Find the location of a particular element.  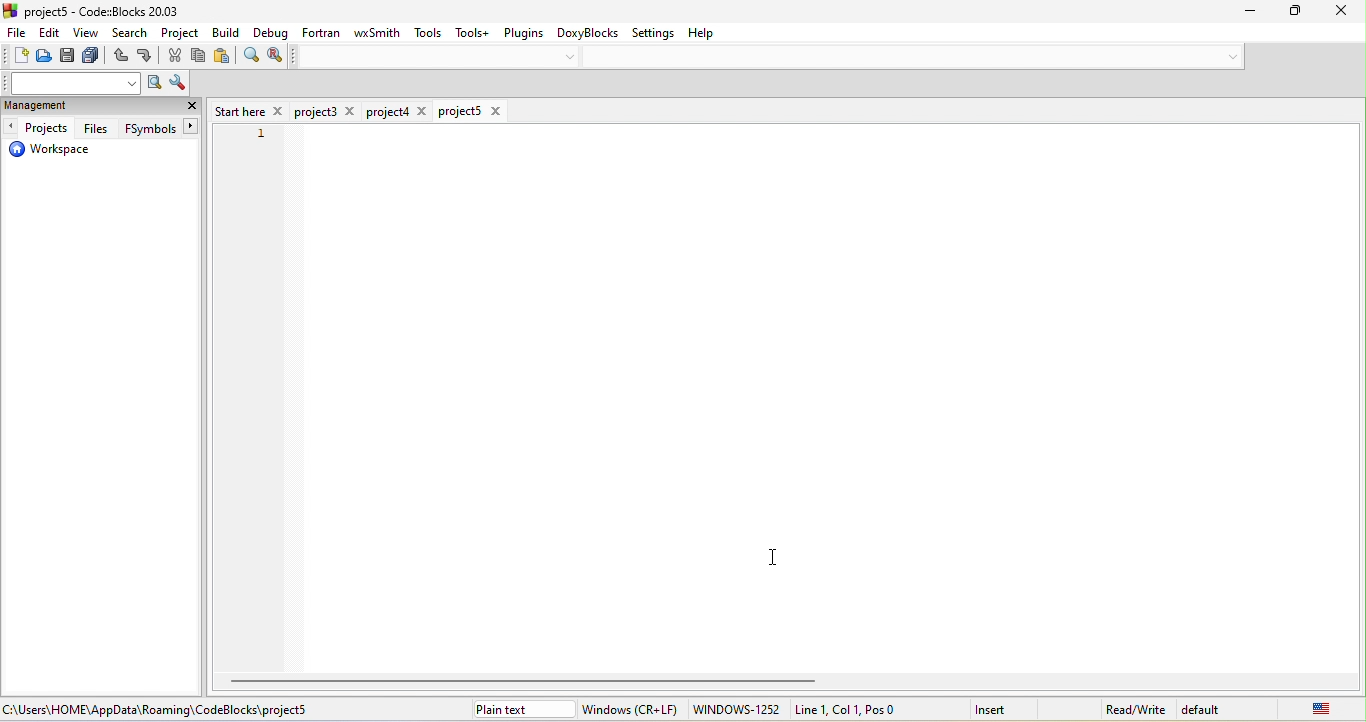

icon is located at coordinates (12, 10).